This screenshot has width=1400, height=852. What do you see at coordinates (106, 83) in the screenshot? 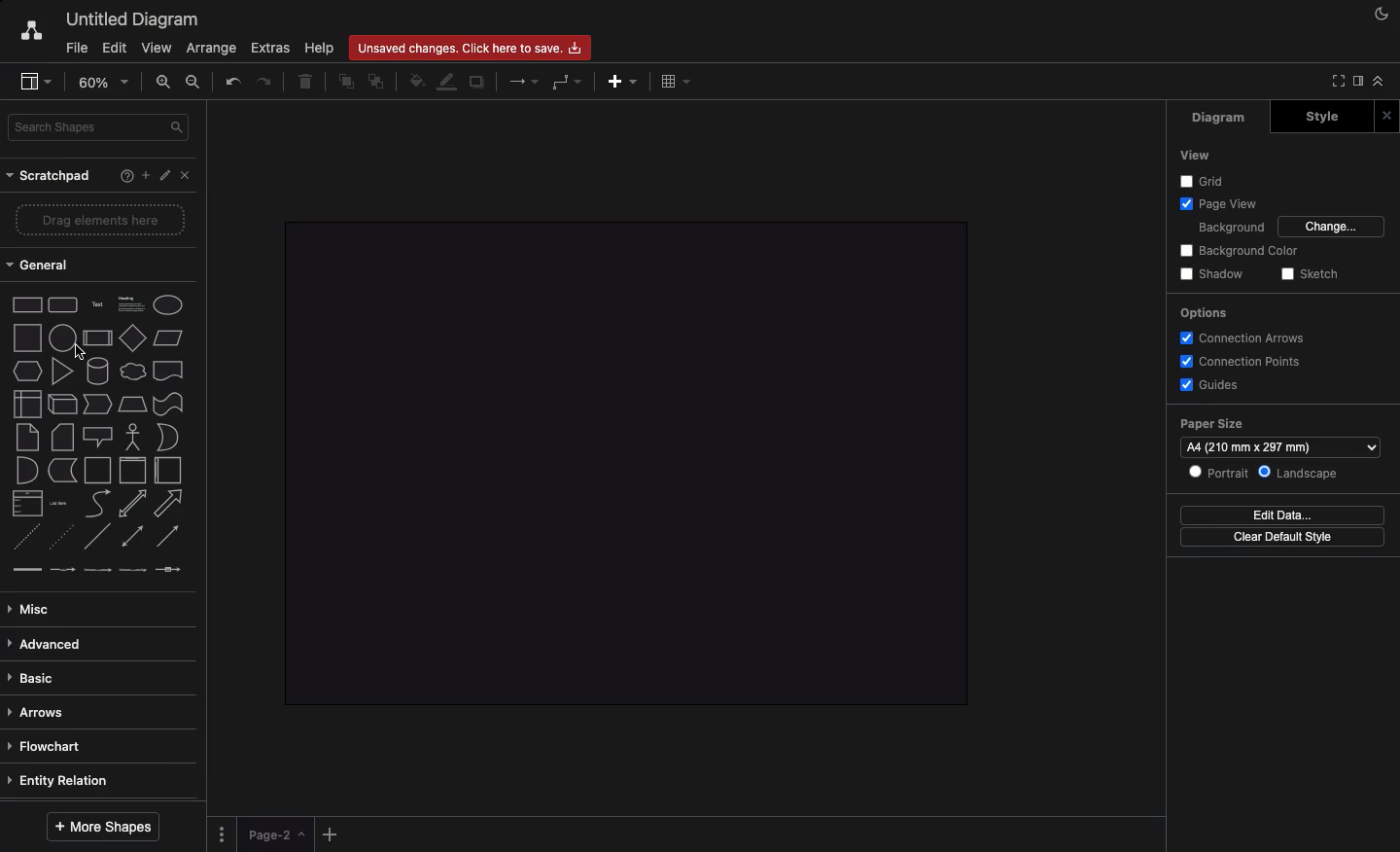
I see `Zoom` at bounding box center [106, 83].